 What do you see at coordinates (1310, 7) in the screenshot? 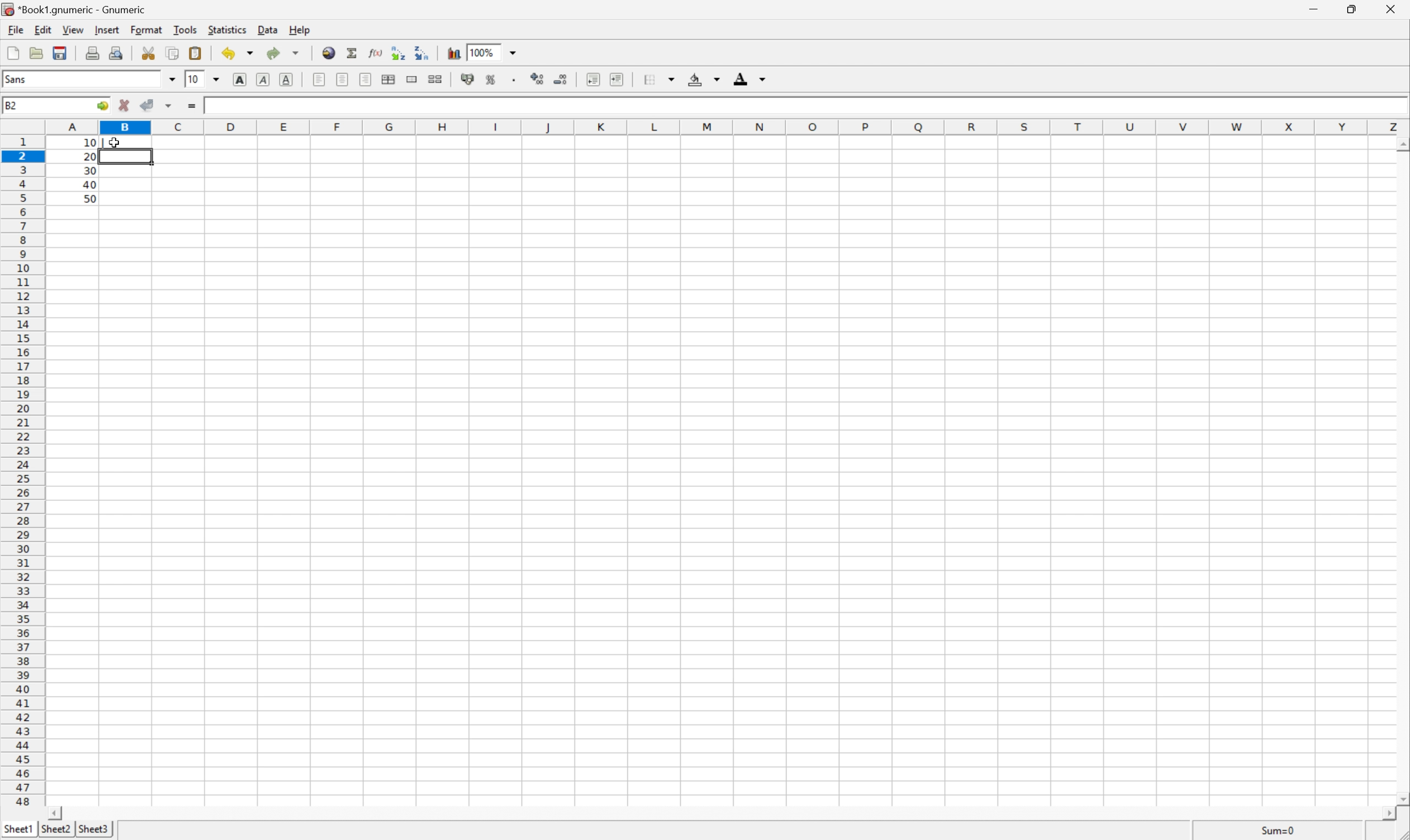
I see `Minimize` at bounding box center [1310, 7].